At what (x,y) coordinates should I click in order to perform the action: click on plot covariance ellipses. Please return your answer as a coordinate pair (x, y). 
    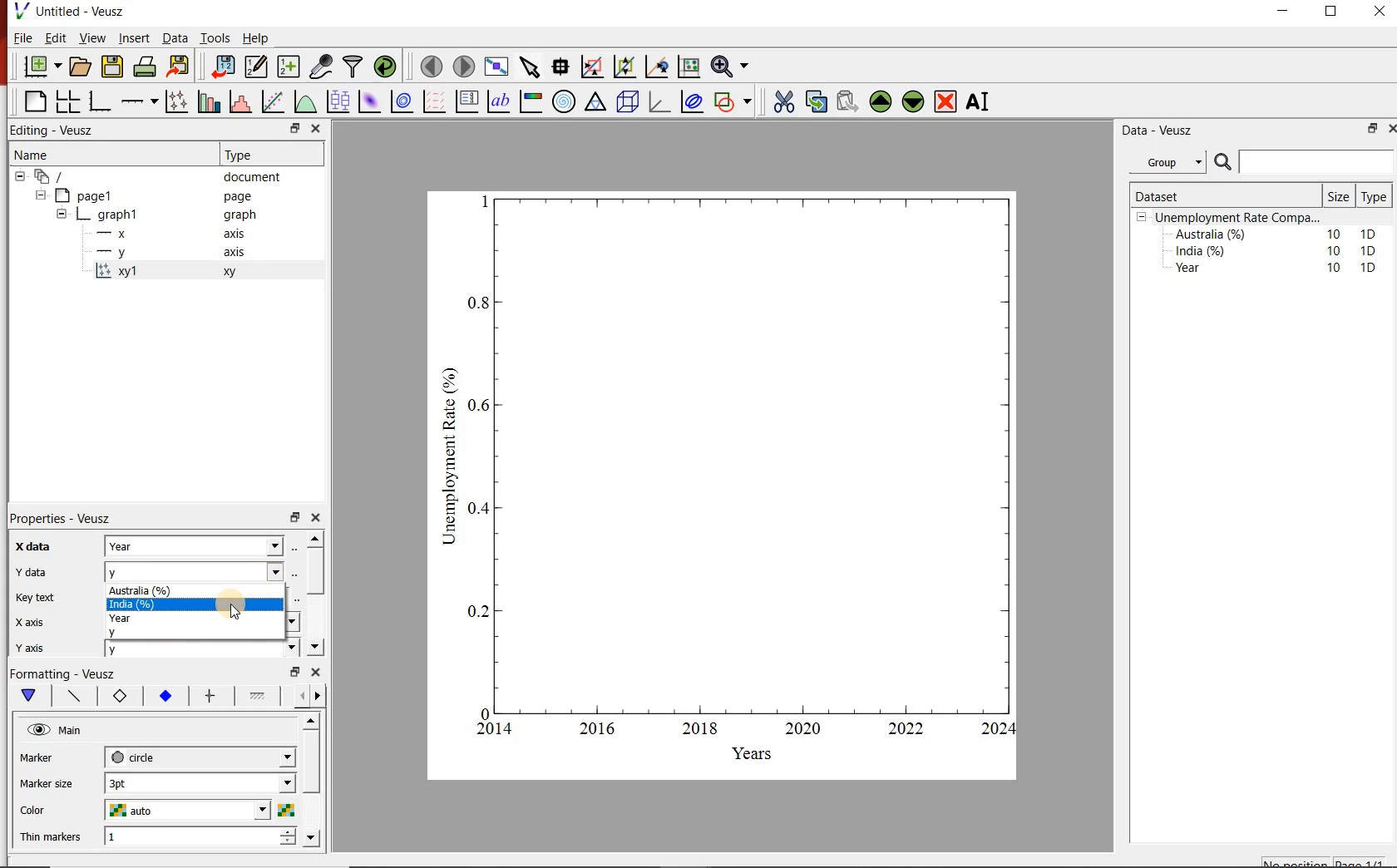
    Looking at the image, I should click on (693, 101).